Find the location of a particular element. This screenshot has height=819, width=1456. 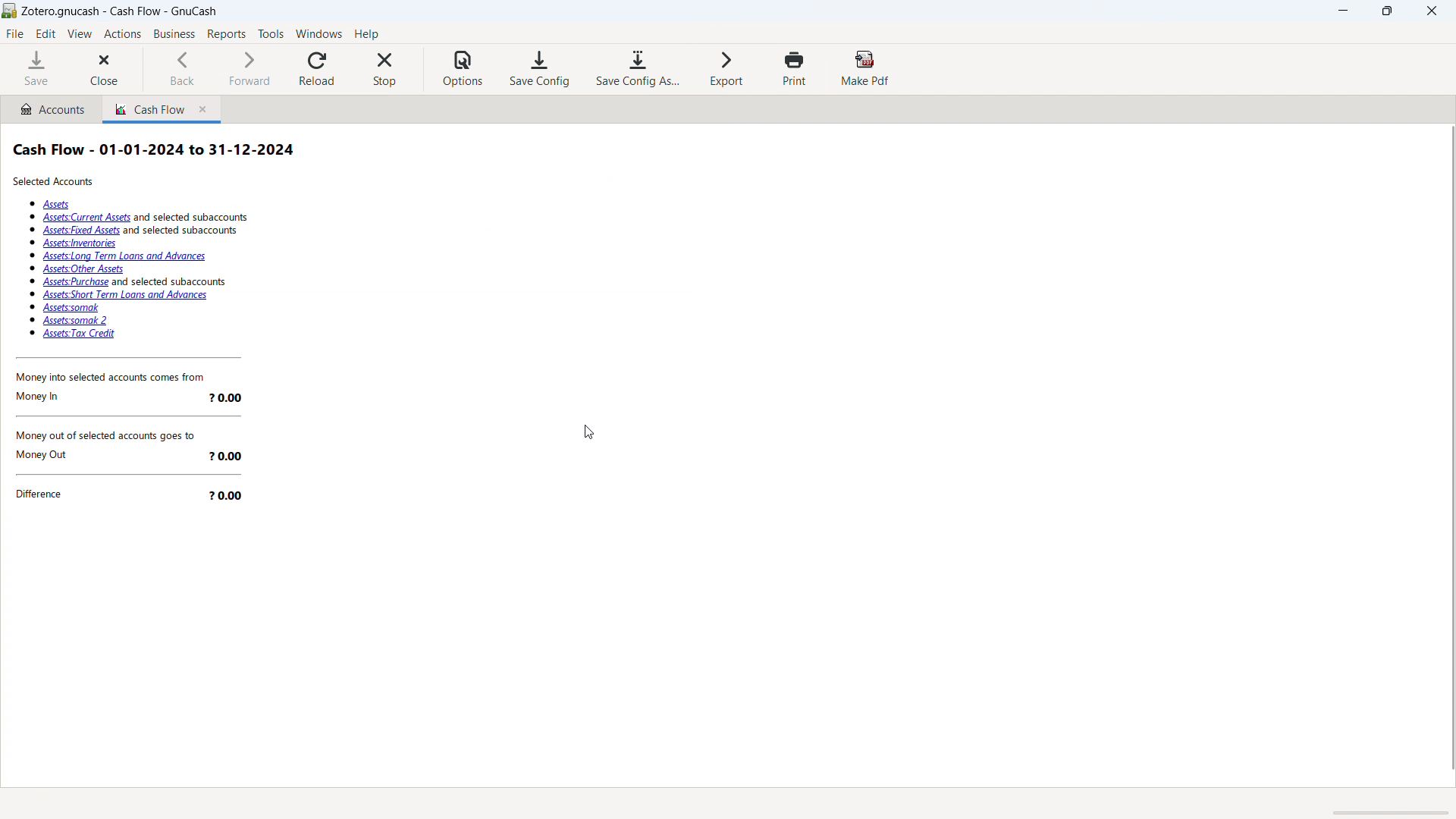

accounts is located at coordinates (49, 108).